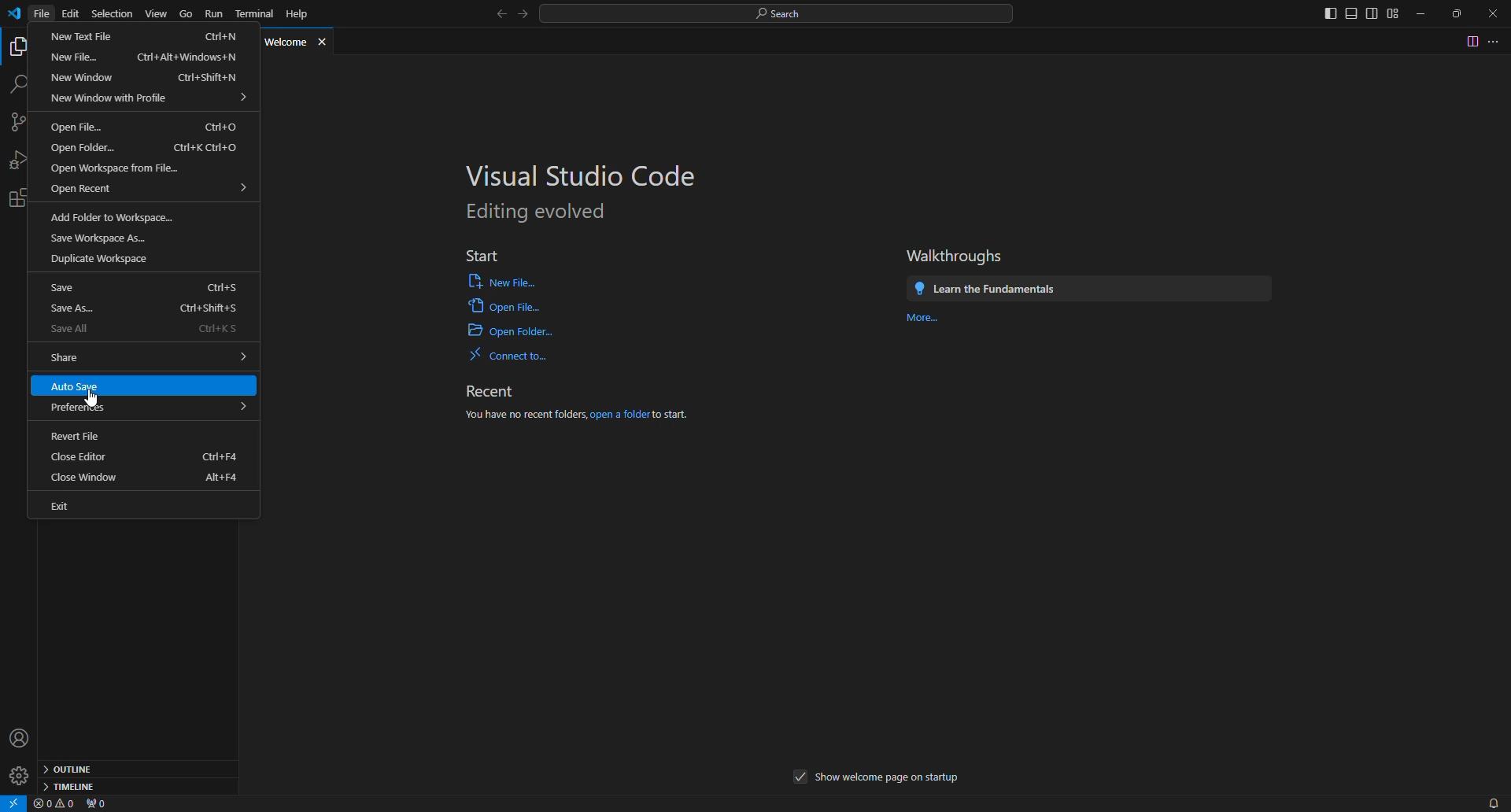 The image size is (1511, 812). What do you see at coordinates (24, 197) in the screenshot?
I see `extennsions` at bounding box center [24, 197].